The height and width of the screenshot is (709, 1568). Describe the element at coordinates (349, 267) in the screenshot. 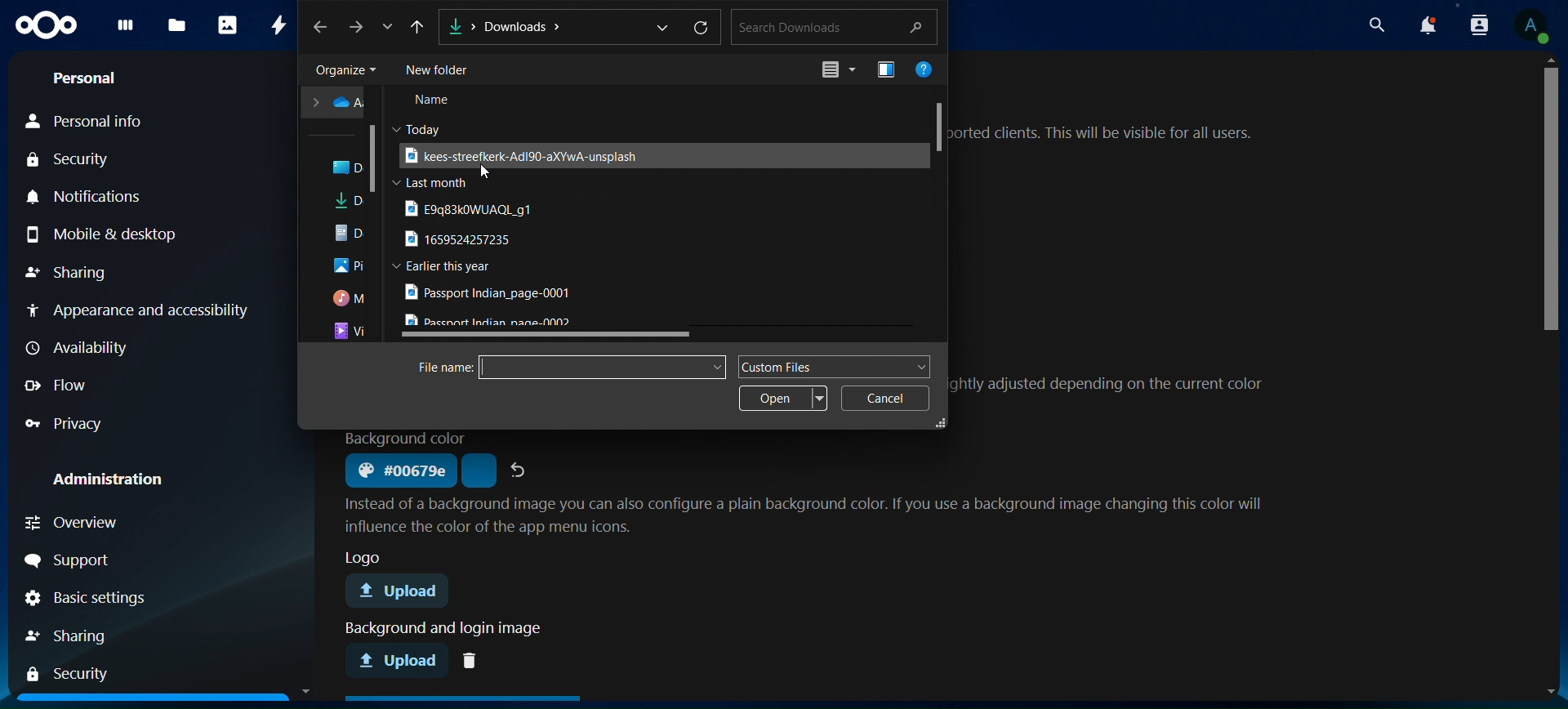

I see `picture` at that location.